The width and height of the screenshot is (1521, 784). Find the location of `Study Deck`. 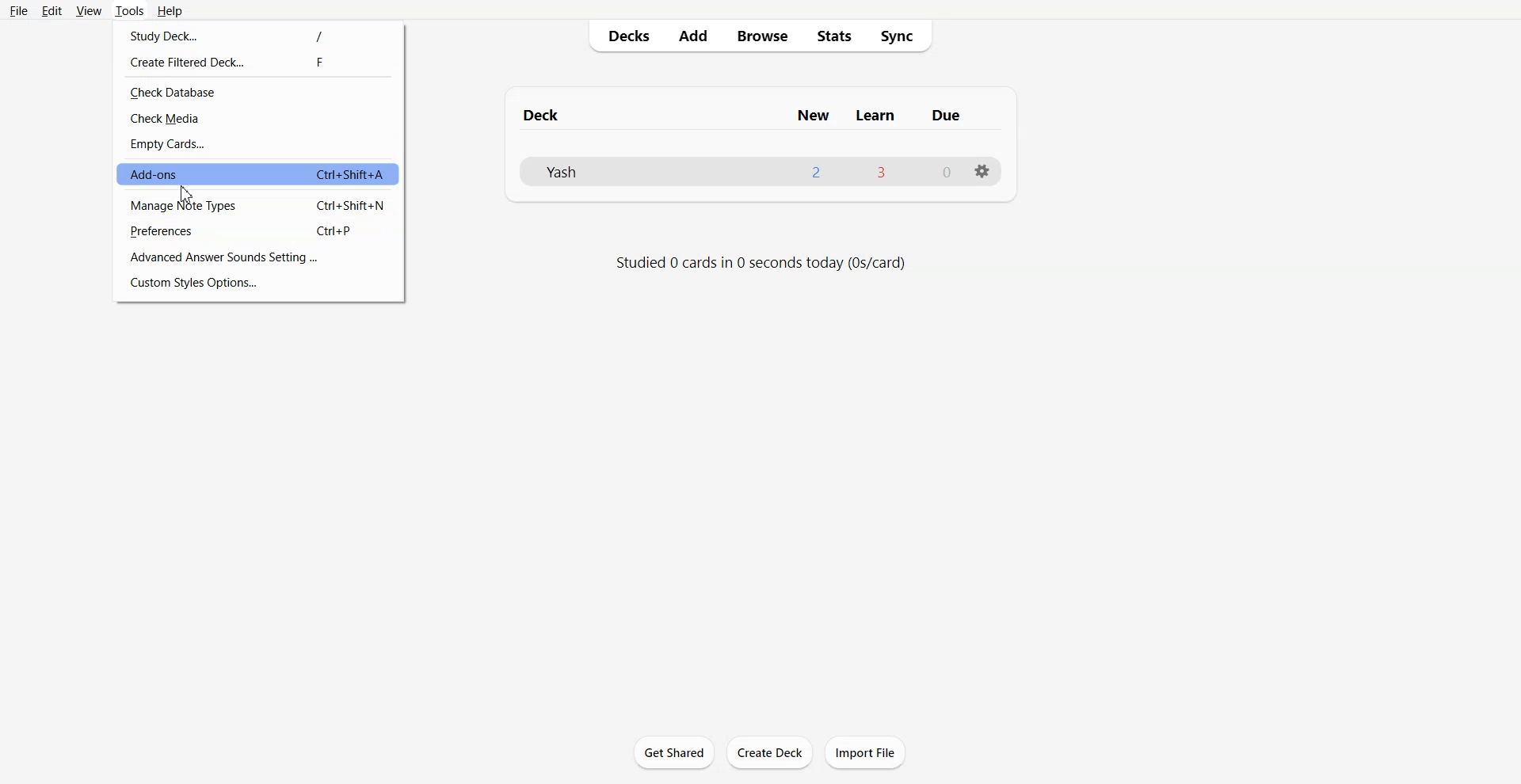

Study Deck is located at coordinates (259, 33).